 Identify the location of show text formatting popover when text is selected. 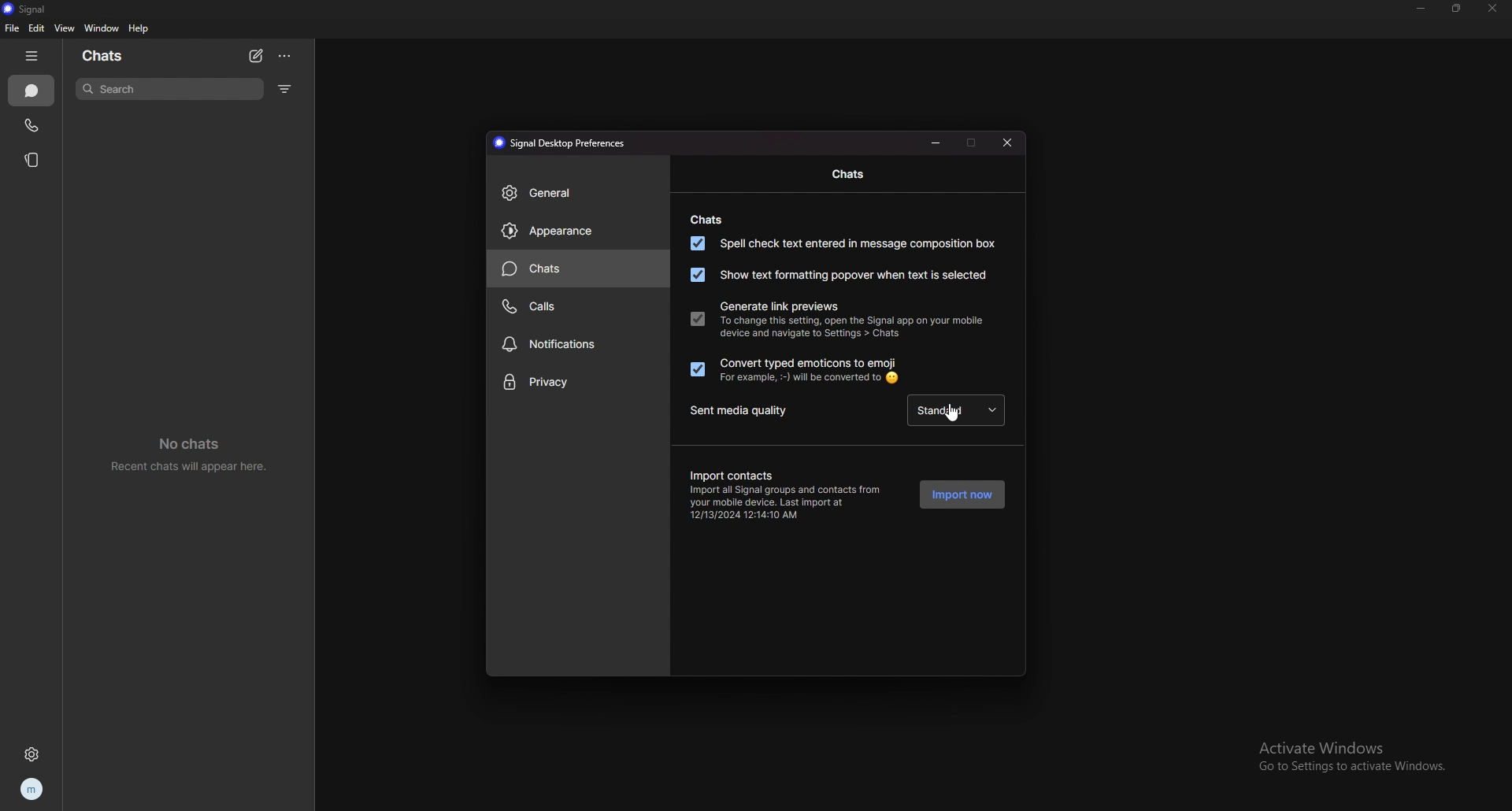
(836, 276).